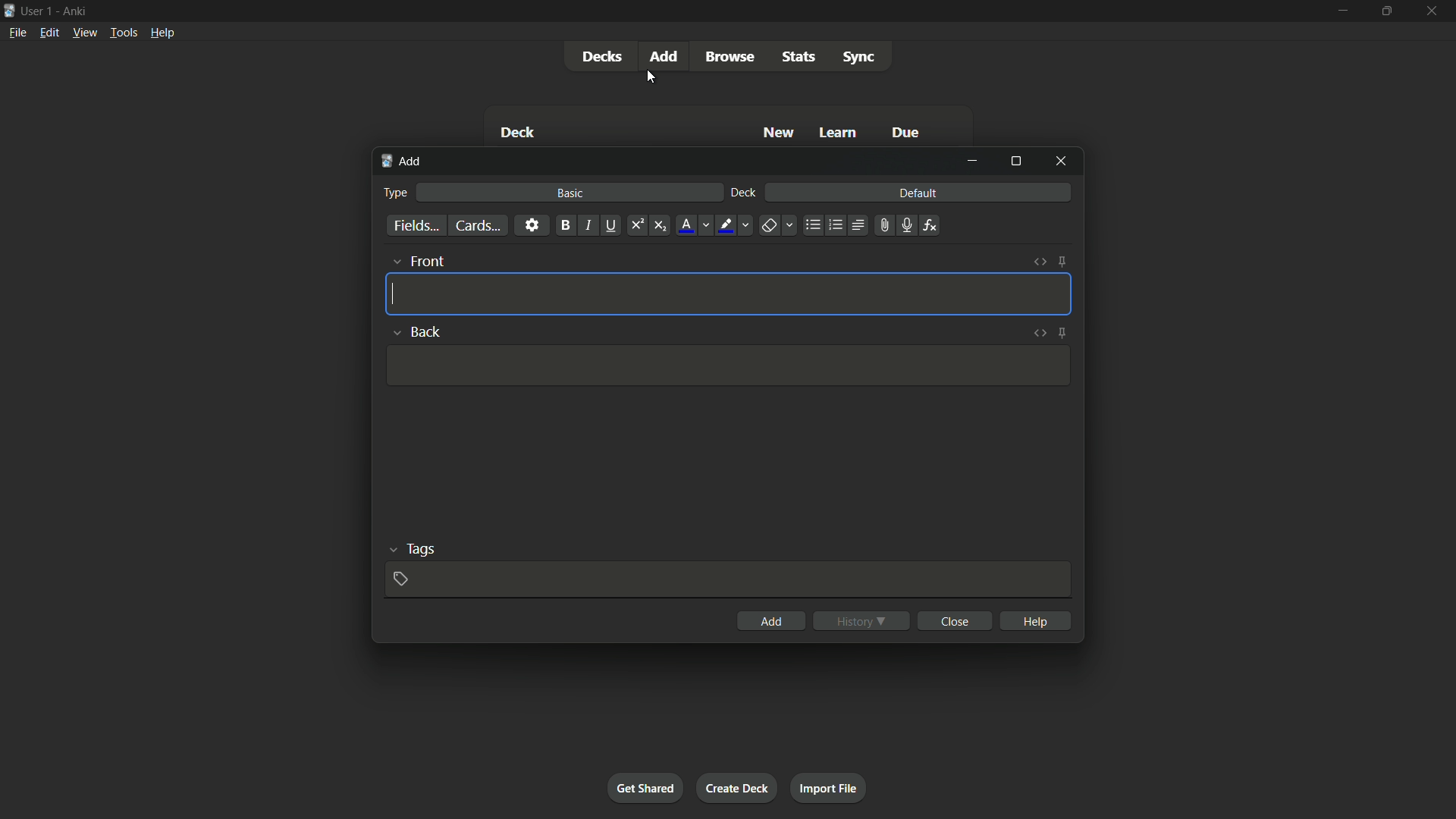 This screenshot has width=1456, height=819. What do you see at coordinates (772, 621) in the screenshot?
I see `add` at bounding box center [772, 621].